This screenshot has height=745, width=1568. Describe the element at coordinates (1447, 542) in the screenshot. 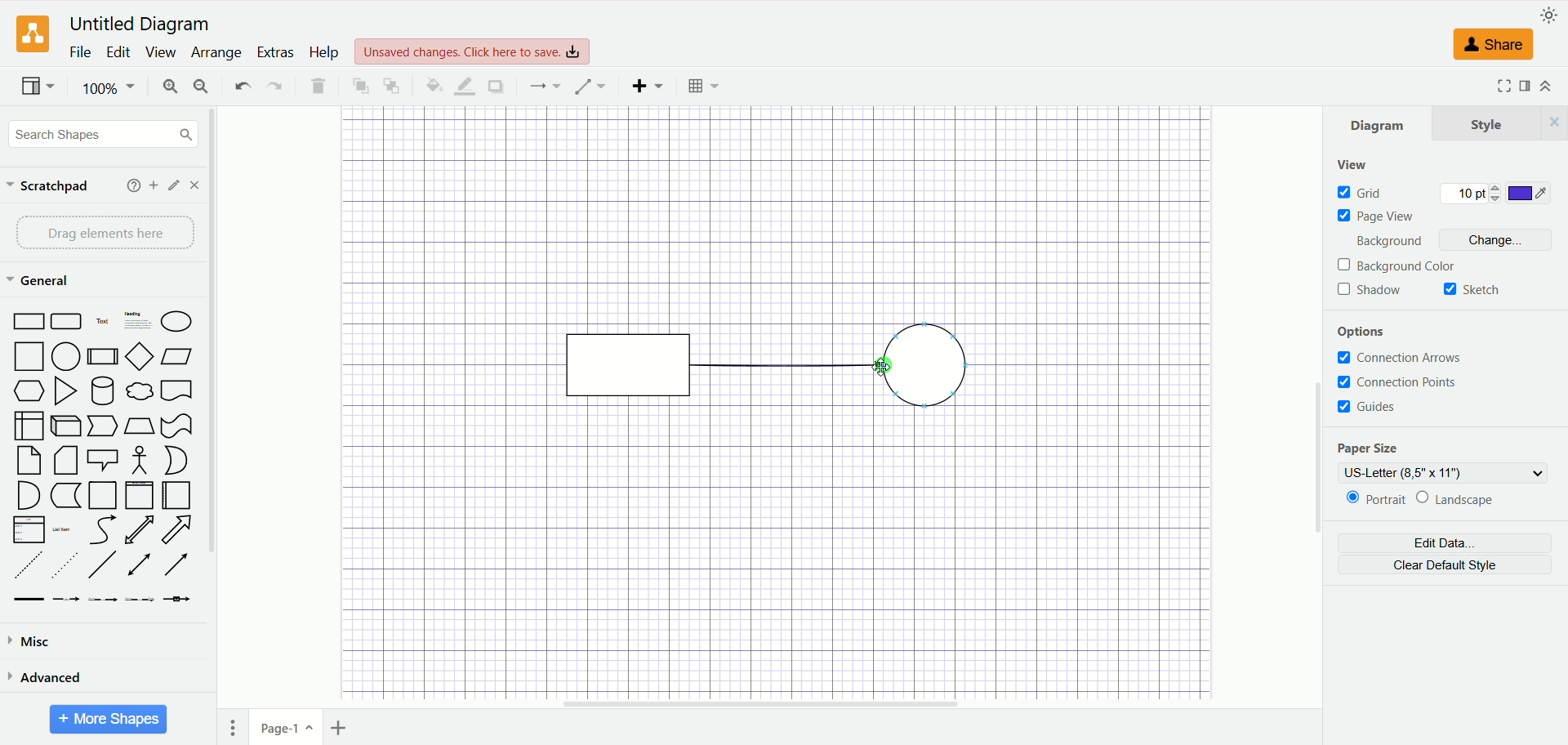

I see `edit data` at that location.